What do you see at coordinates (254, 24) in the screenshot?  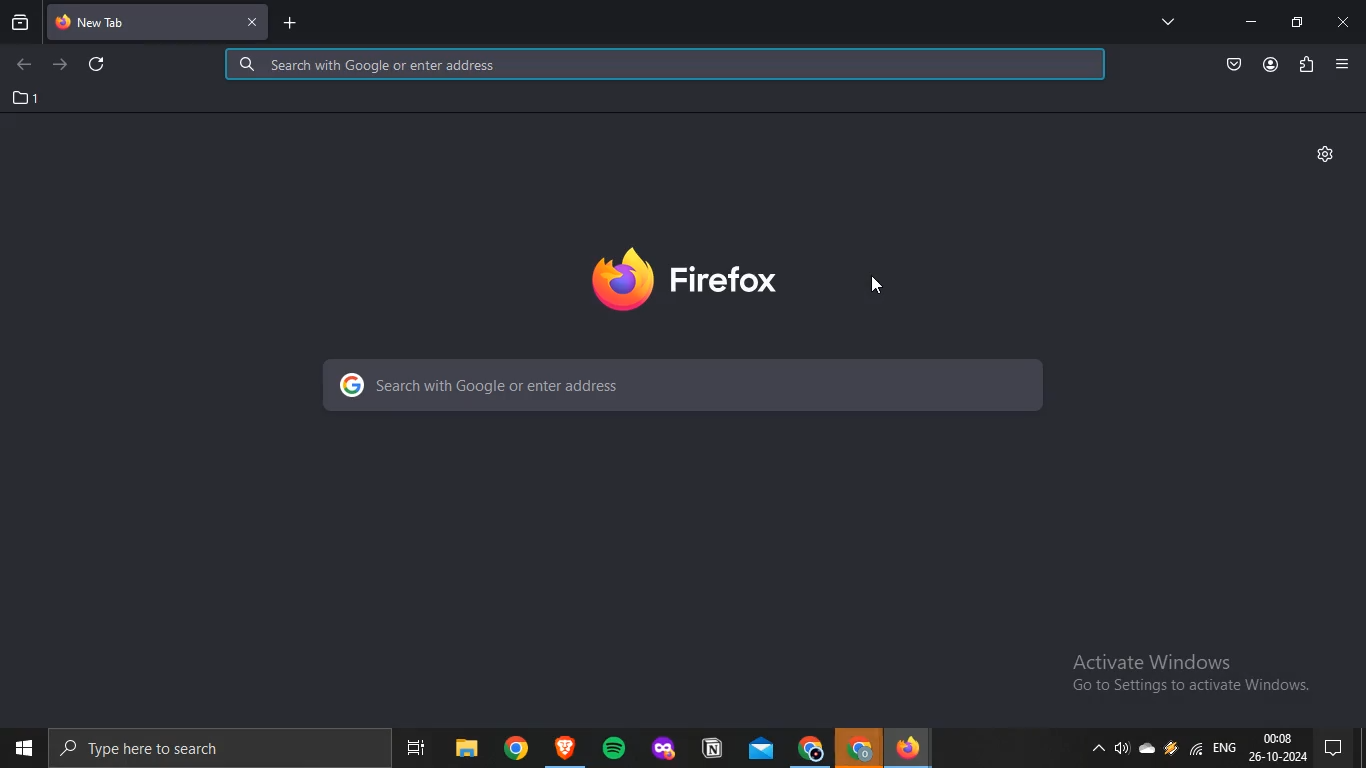 I see `close tab` at bounding box center [254, 24].